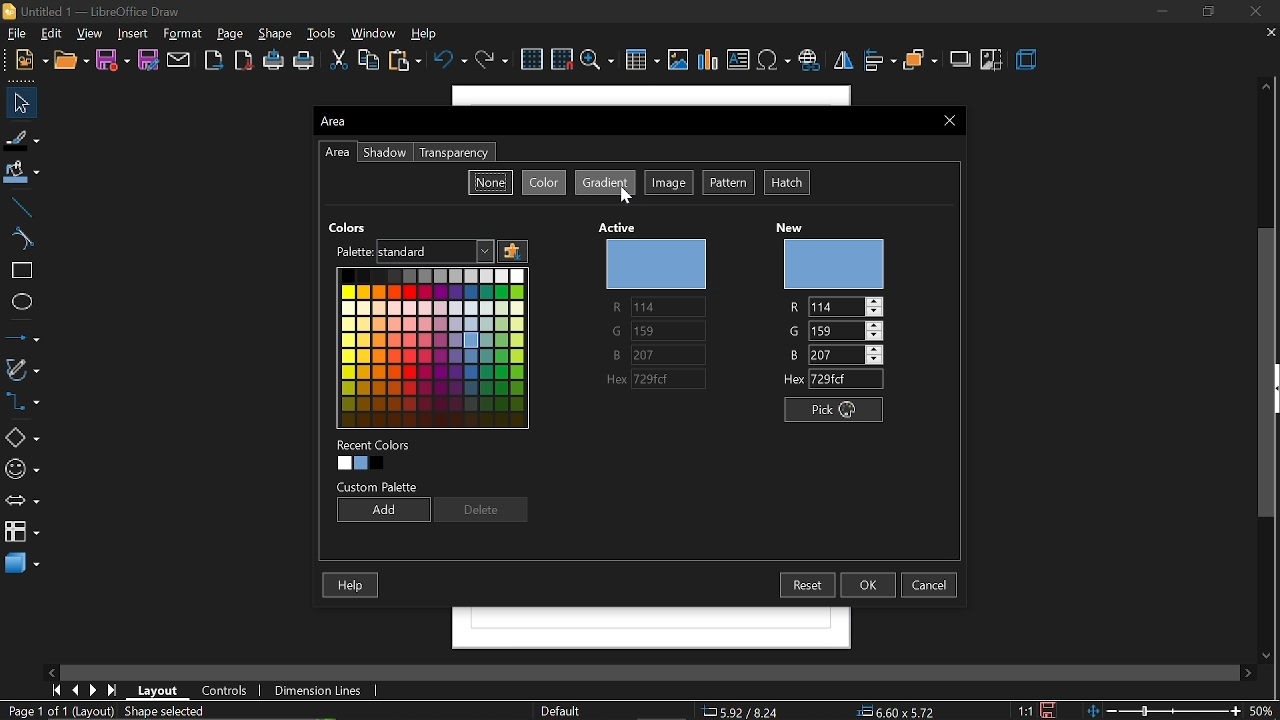  Describe the element at coordinates (1270, 374) in the screenshot. I see `vertical scrollbar` at that location.